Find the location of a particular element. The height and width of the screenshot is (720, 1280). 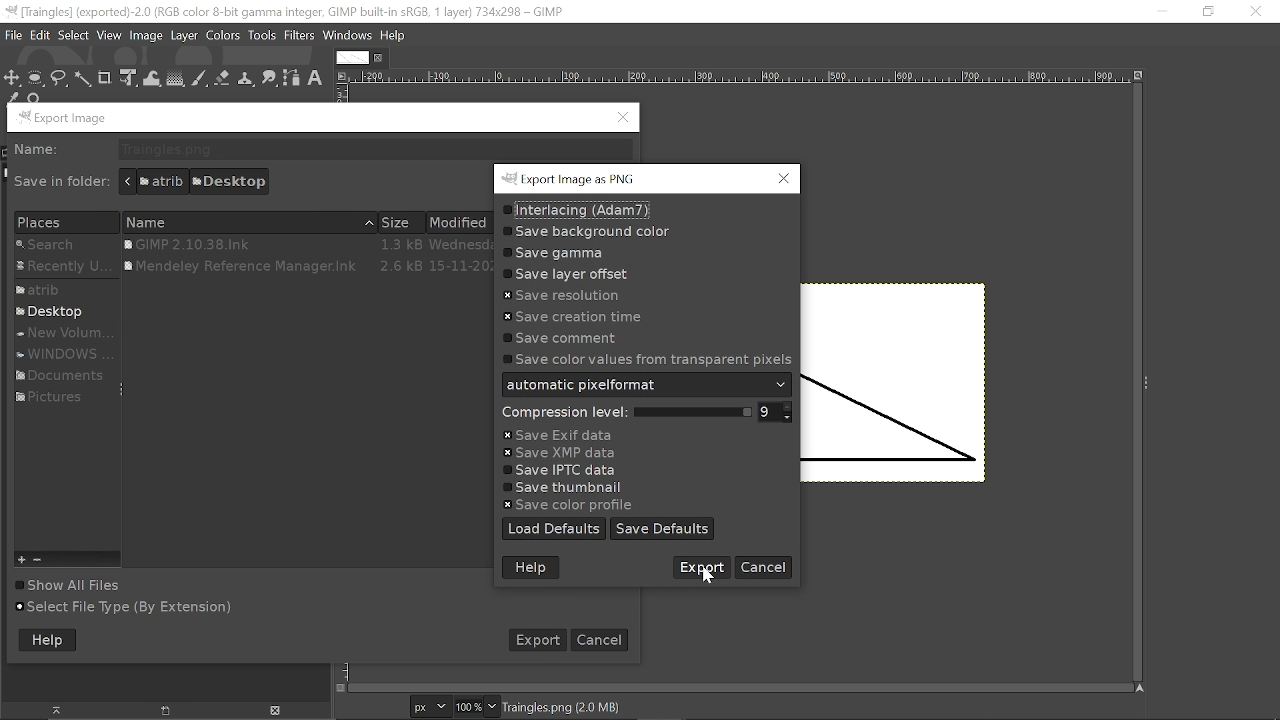

Cursor is located at coordinates (712, 575).